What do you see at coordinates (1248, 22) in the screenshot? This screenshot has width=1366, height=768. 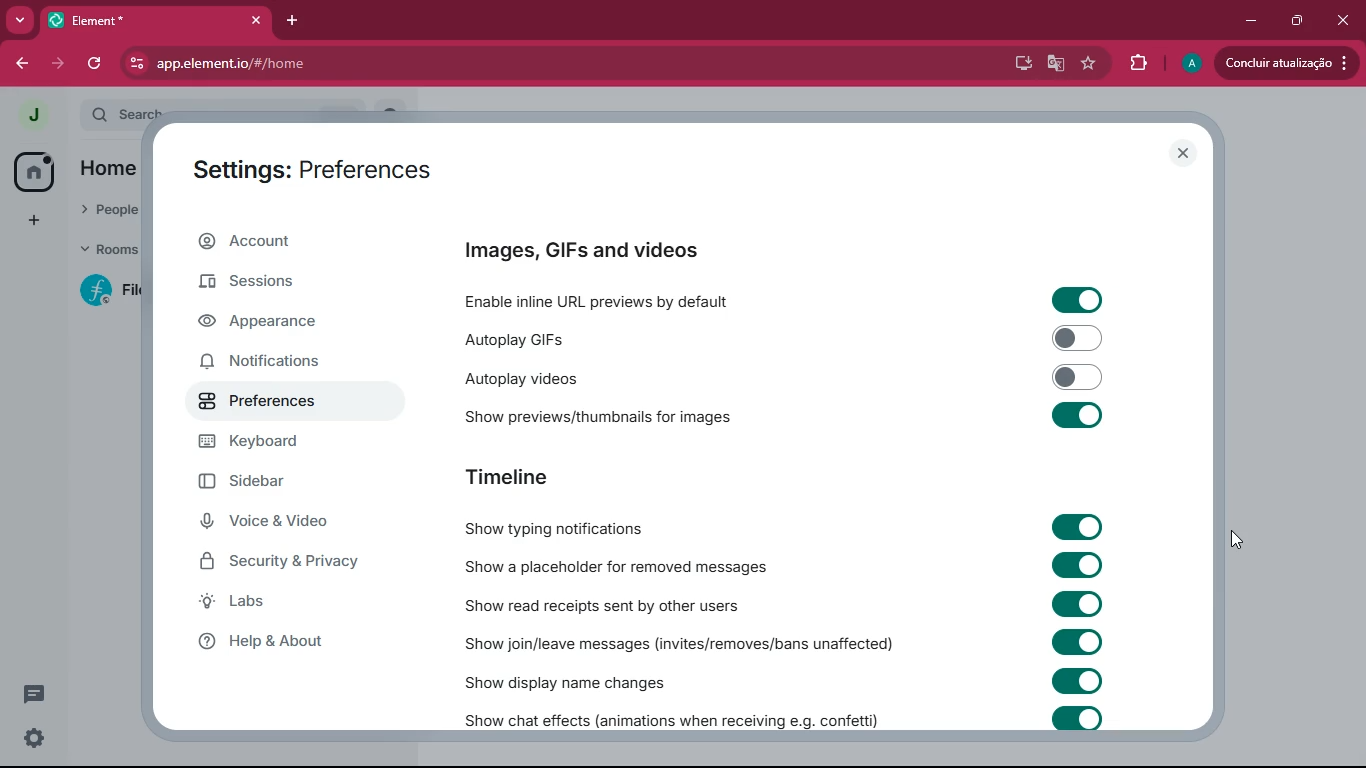 I see `minimize` at bounding box center [1248, 22].